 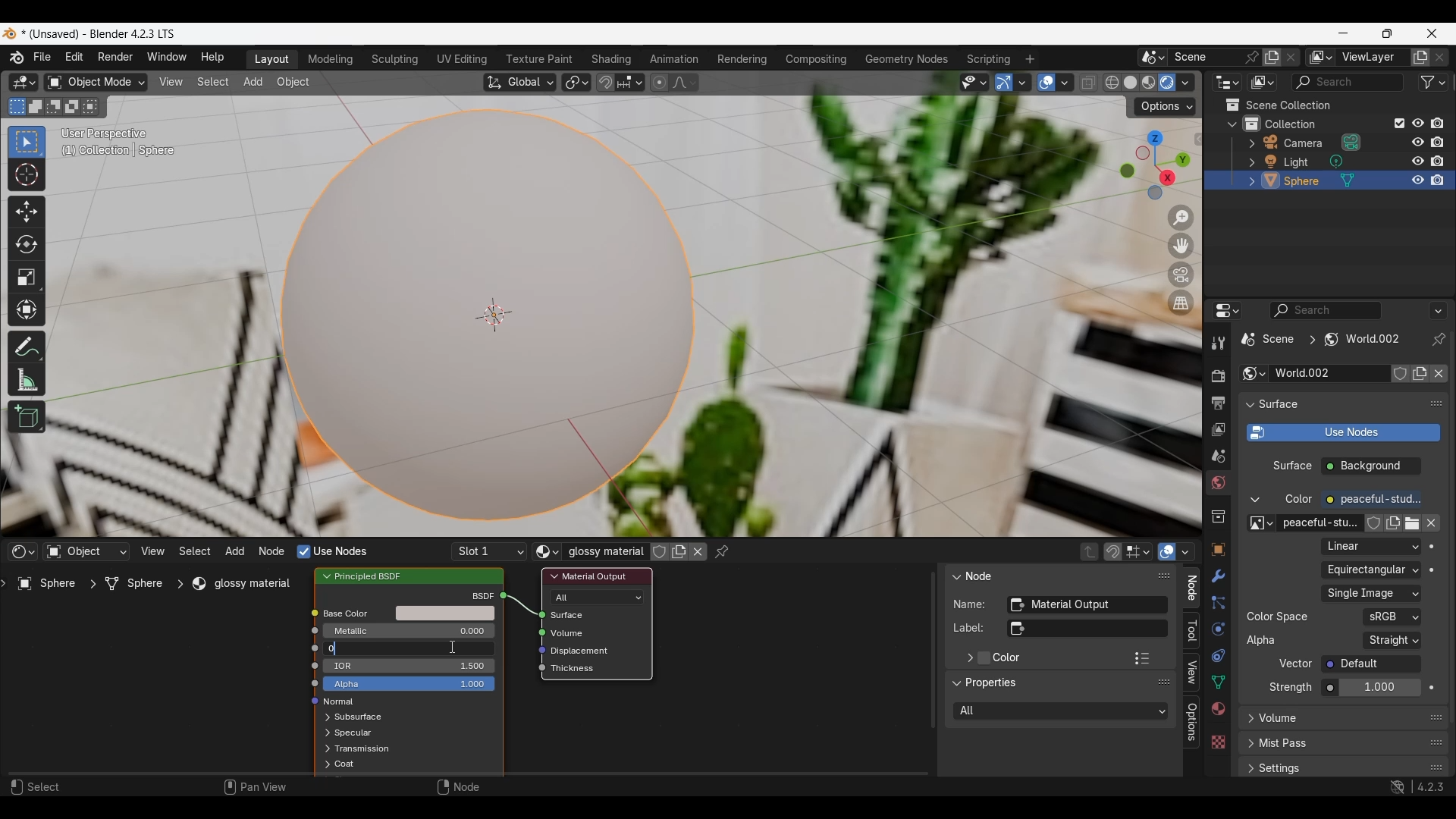 What do you see at coordinates (27, 416) in the screenshot?
I see `Add cube` at bounding box center [27, 416].